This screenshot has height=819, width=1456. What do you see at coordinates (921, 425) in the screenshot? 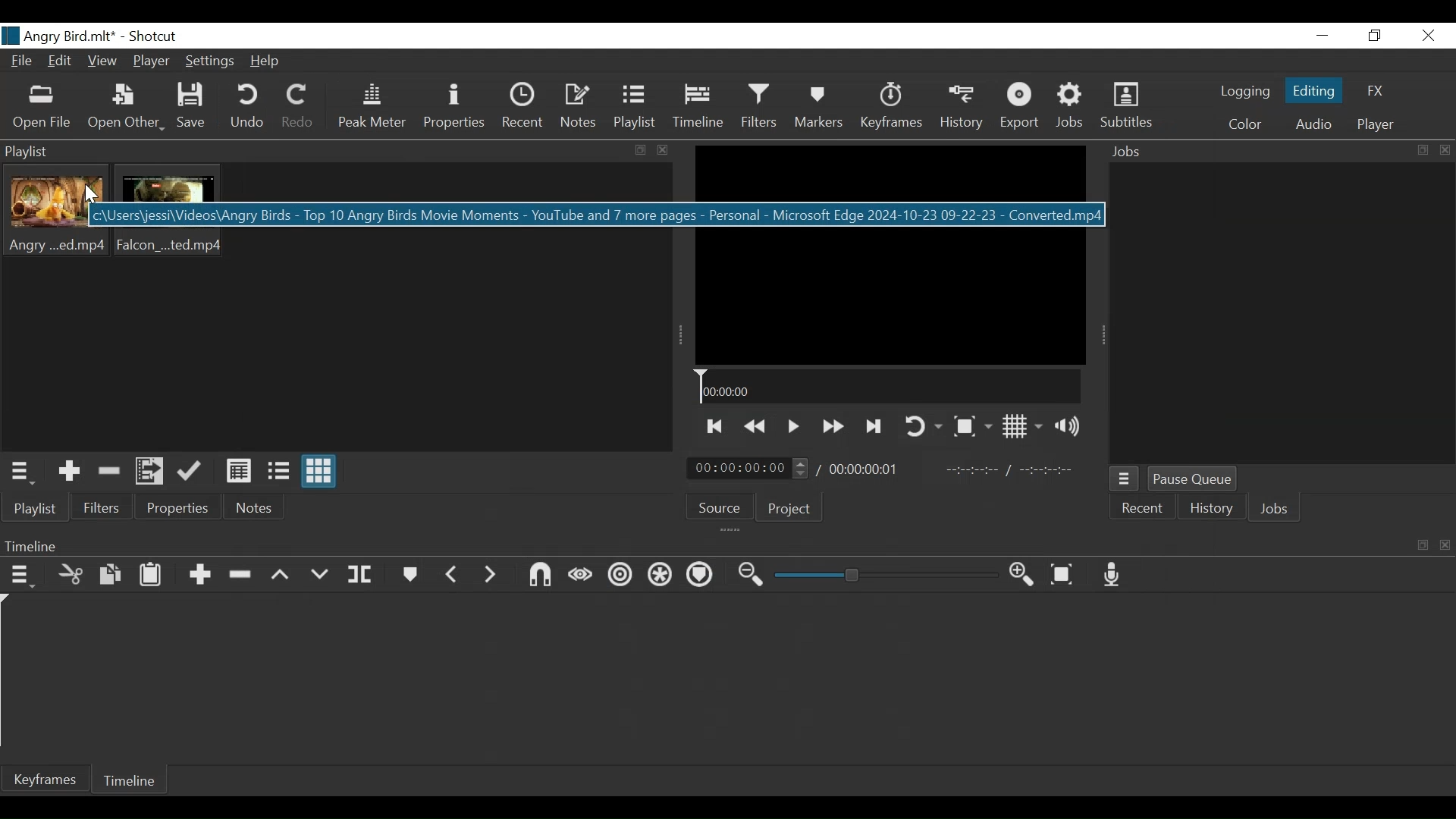
I see `Toggle player looping` at bounding box center [921, 425].